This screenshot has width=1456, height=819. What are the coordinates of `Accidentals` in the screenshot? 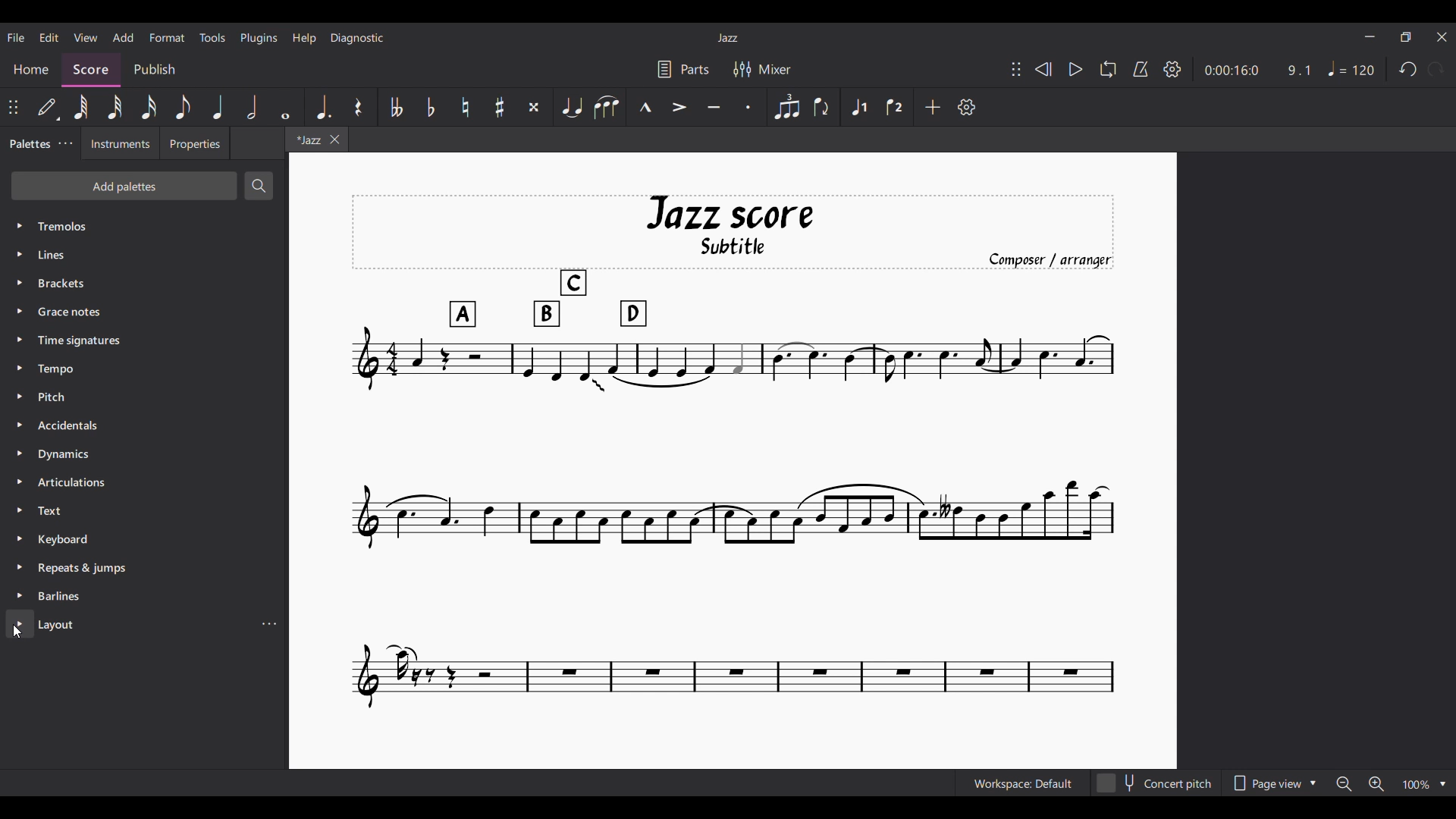 It's located at (144, 425).